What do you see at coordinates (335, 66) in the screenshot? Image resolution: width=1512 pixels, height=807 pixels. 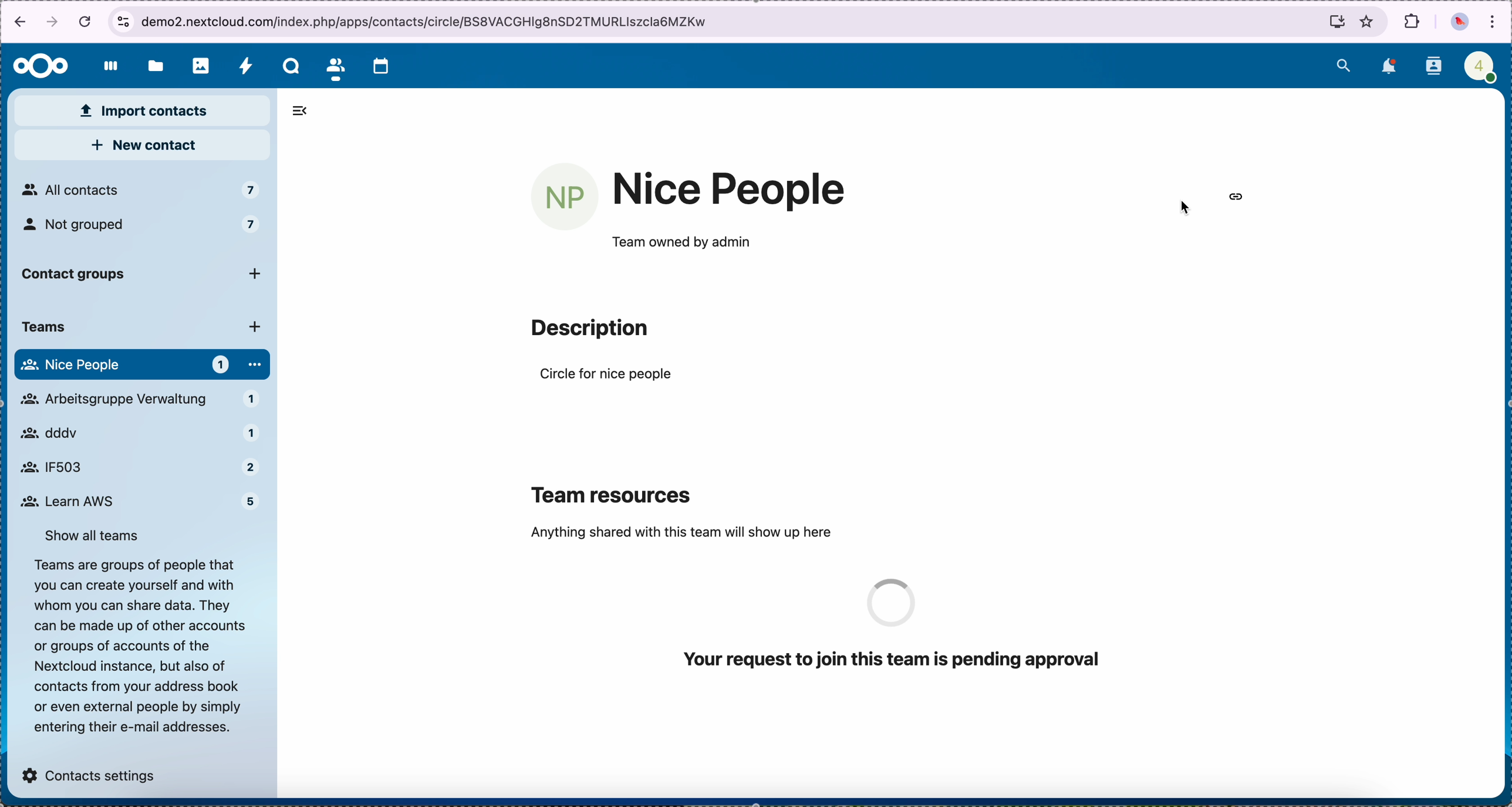 I see `click on contacts` at bounding box center [335, 66].